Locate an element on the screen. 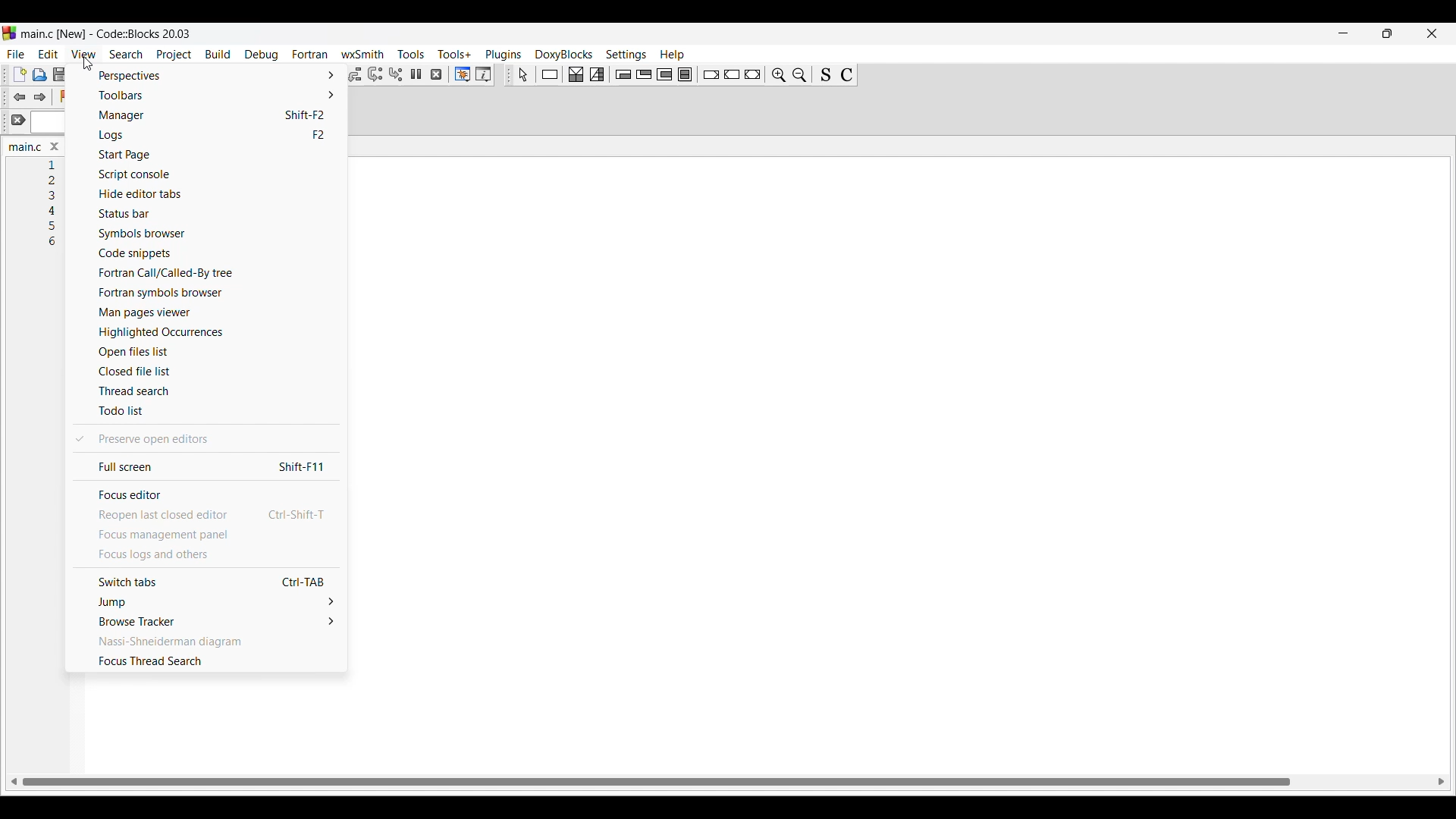  Continue instruction is located at coordinates (732, 74).